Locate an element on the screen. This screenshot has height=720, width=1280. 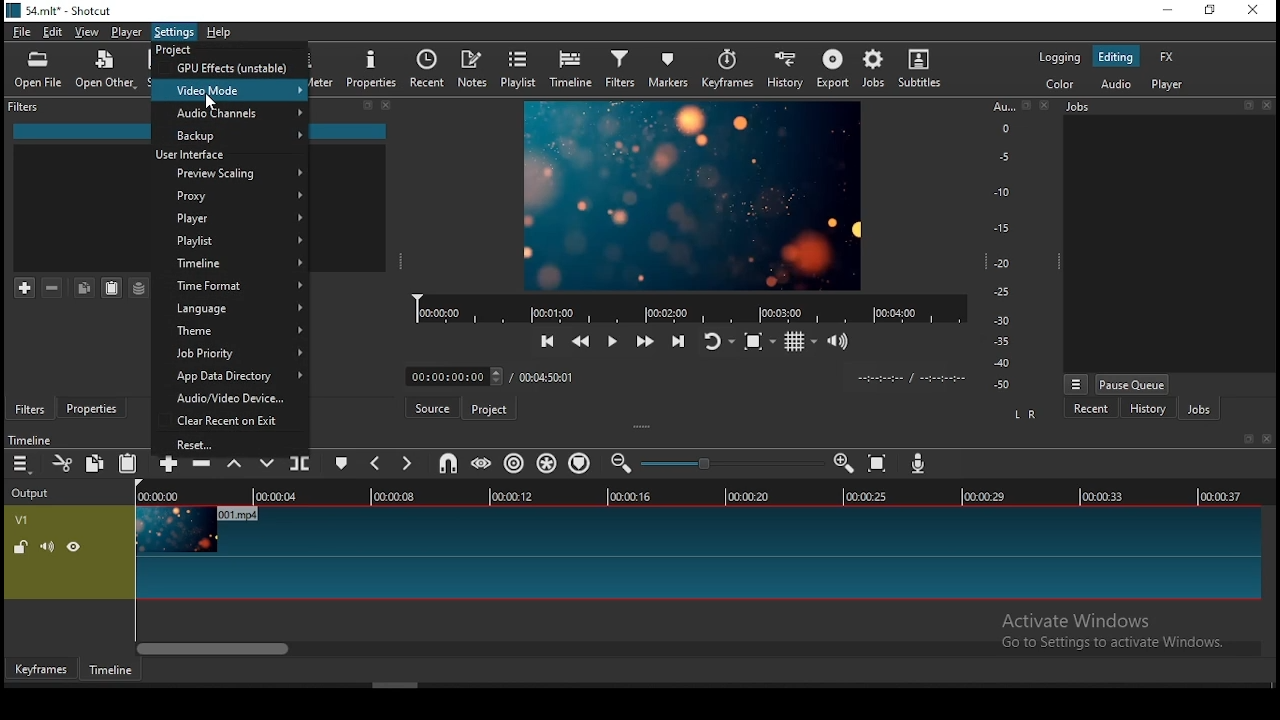
00:00:33 is located at coordinates (1103, 495).